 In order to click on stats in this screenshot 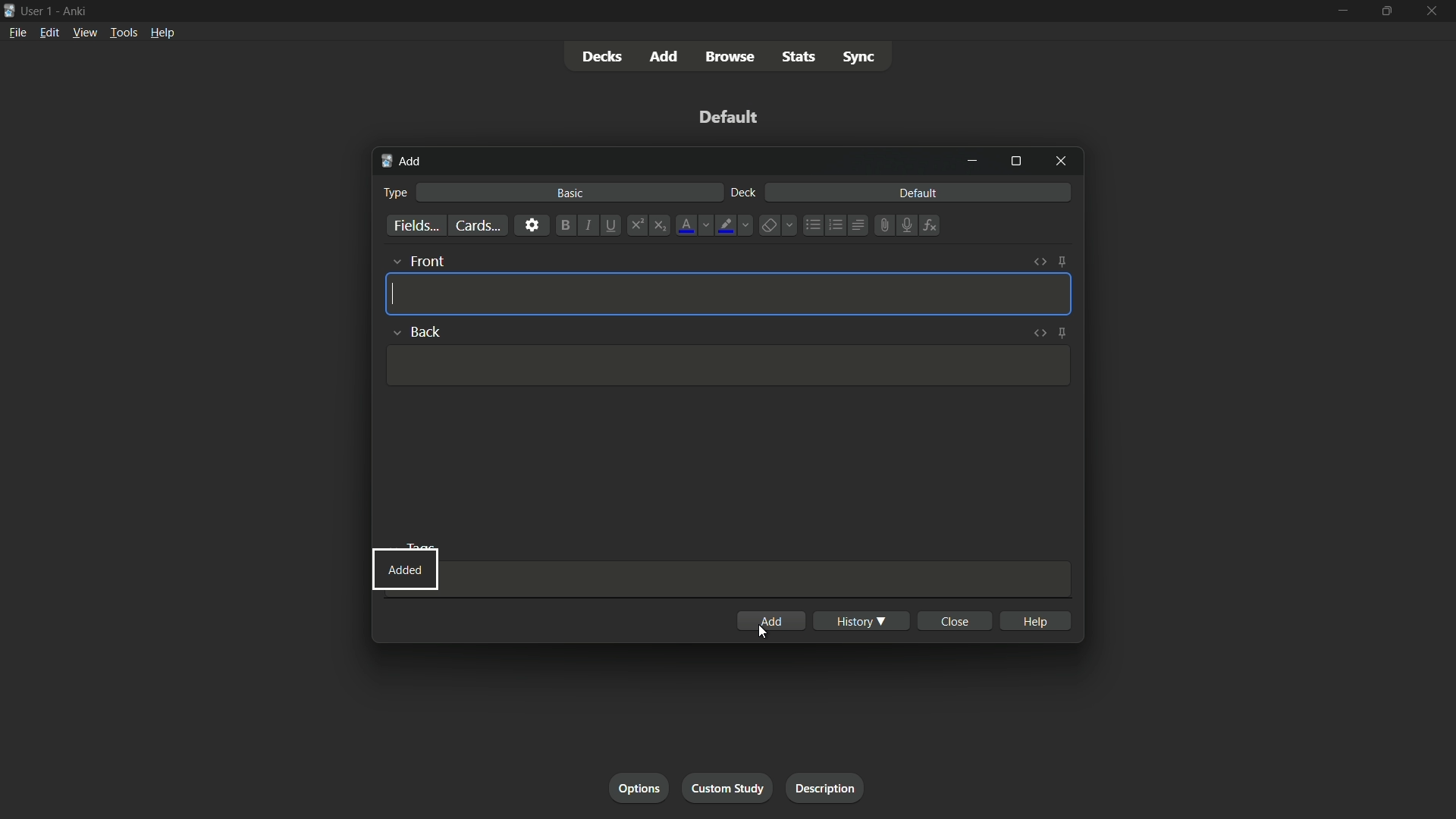, I will do `click(802, 58)`.